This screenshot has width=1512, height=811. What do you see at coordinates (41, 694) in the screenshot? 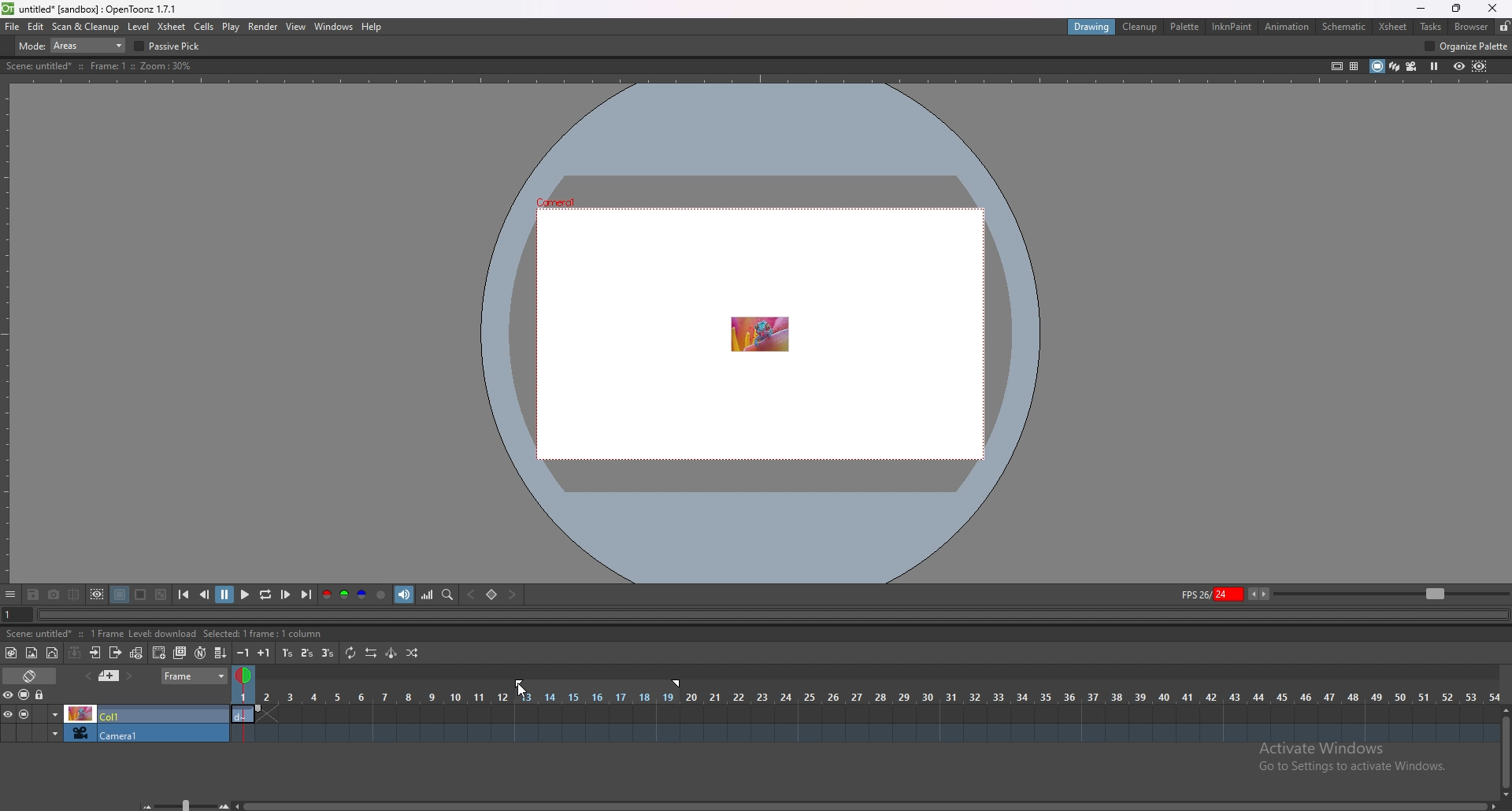
I see `lock` at bounding box center [41, 694].